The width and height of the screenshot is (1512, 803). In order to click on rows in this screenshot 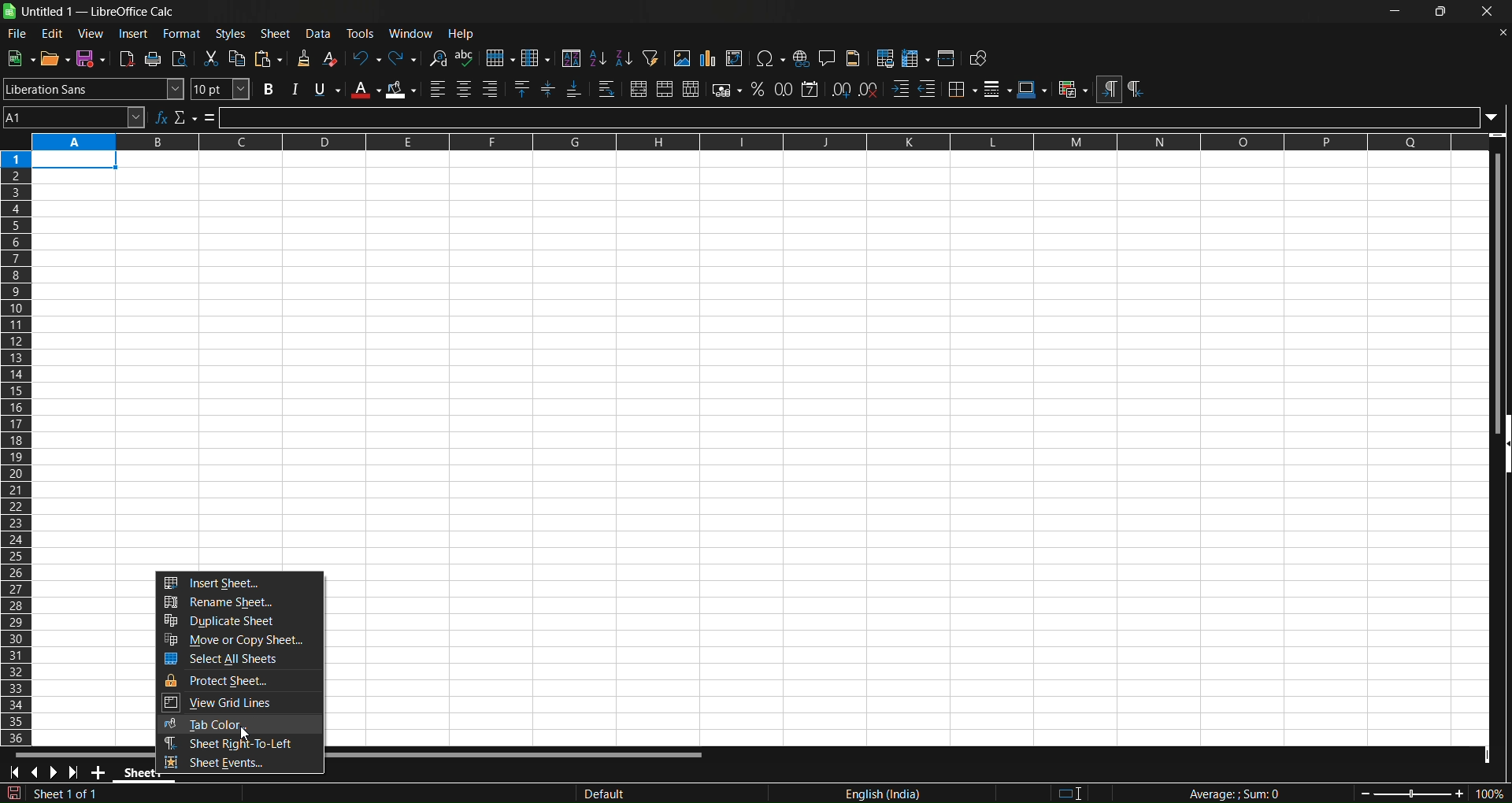, I will do `click(747, 142)`.